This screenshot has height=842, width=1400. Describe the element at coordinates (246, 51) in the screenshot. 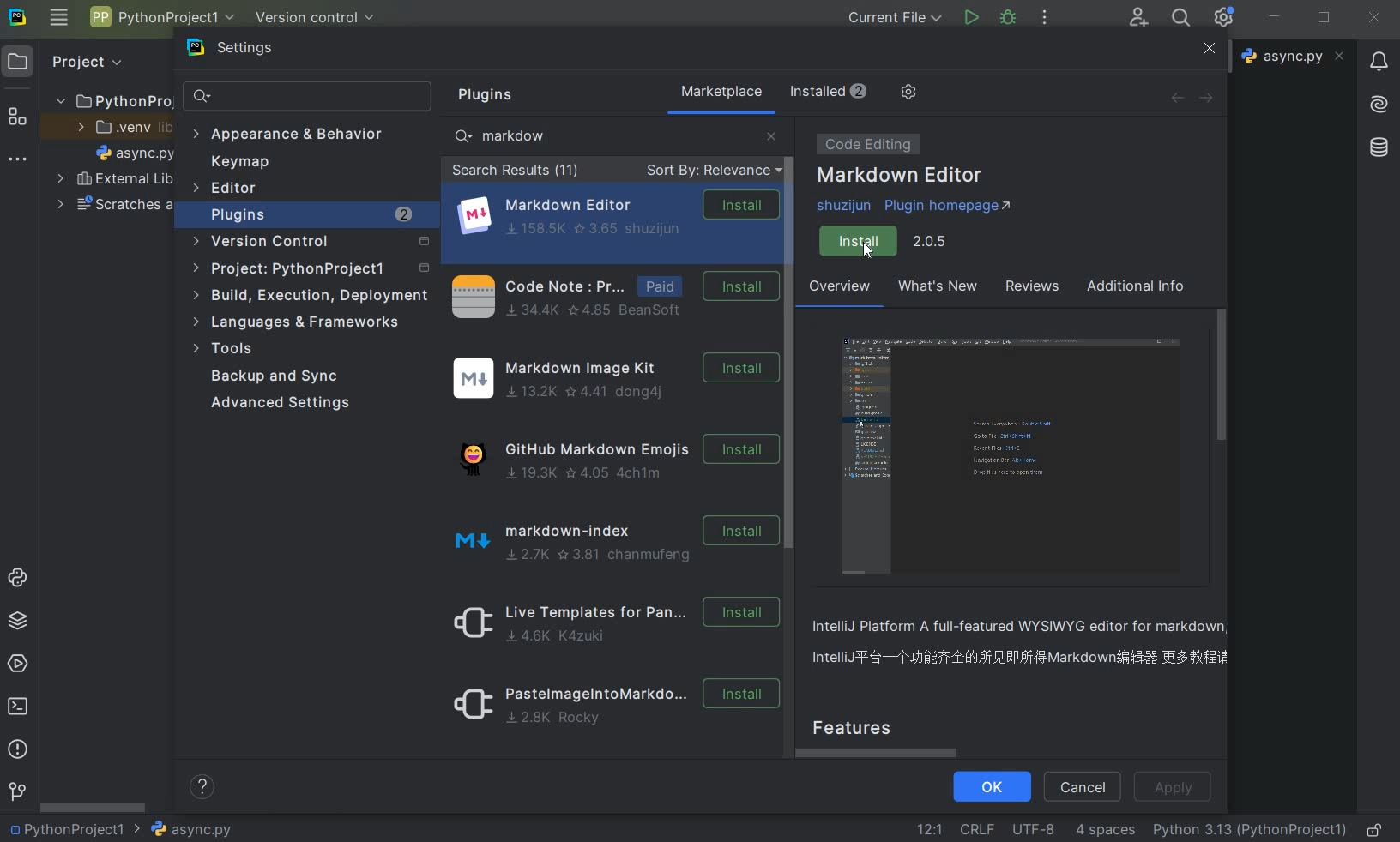

I see `settings` at that location.